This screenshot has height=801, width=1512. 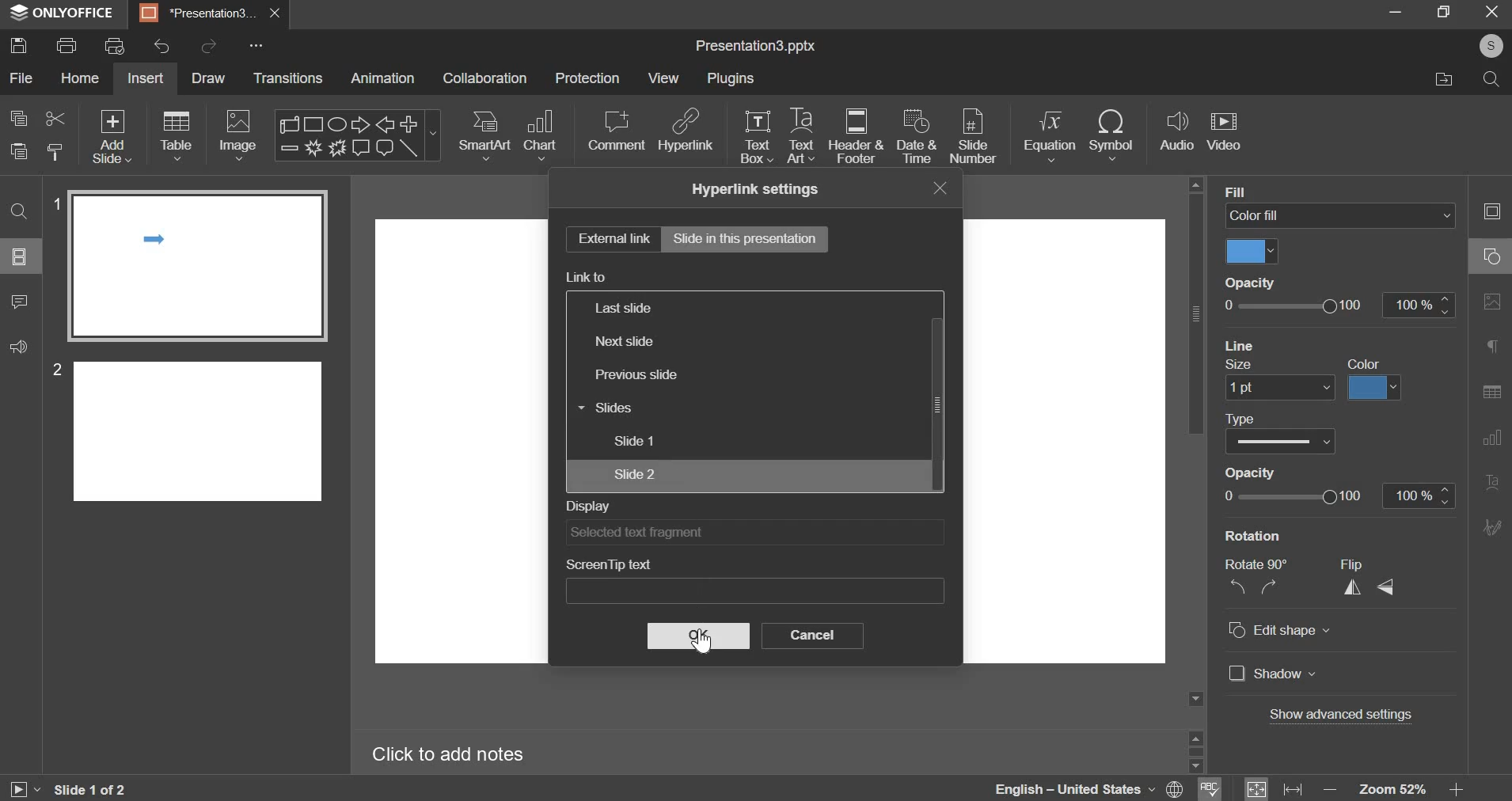 What do you see at coordinates (1279, 389) in the screenshot?
I see `set size` at bounding box center [1279, 389].